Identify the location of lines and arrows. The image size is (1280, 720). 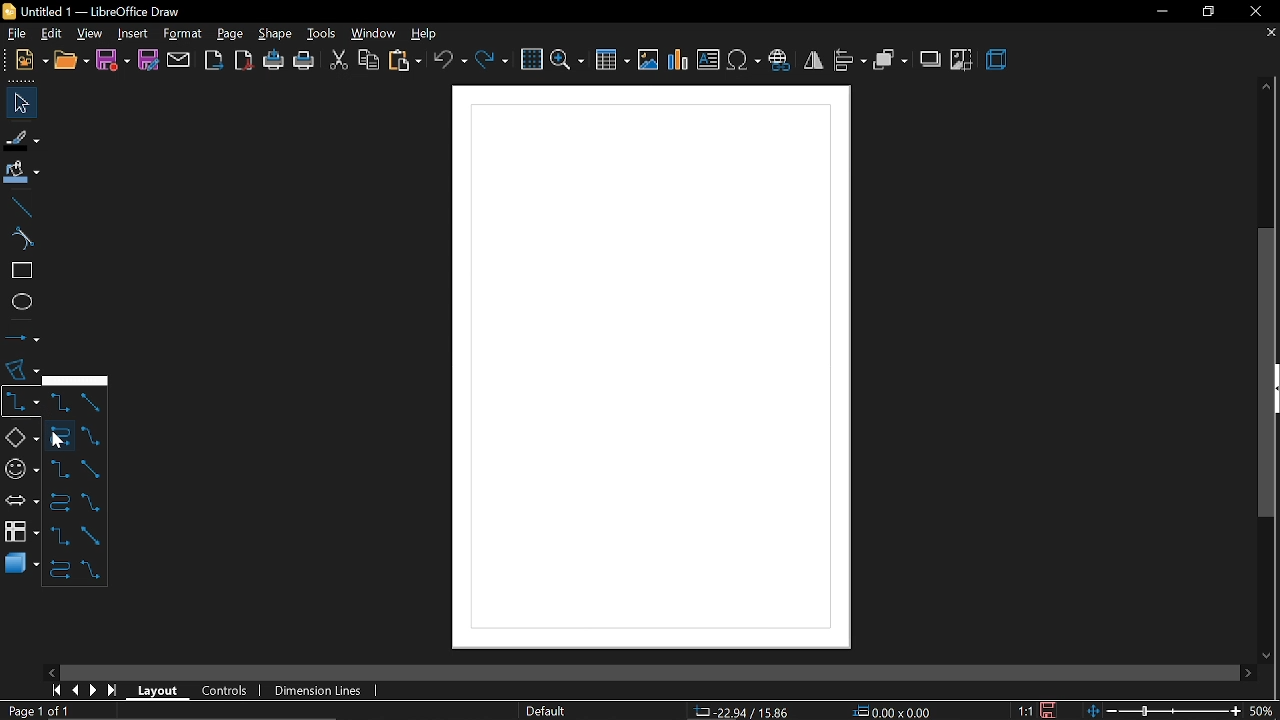
(22, 337).